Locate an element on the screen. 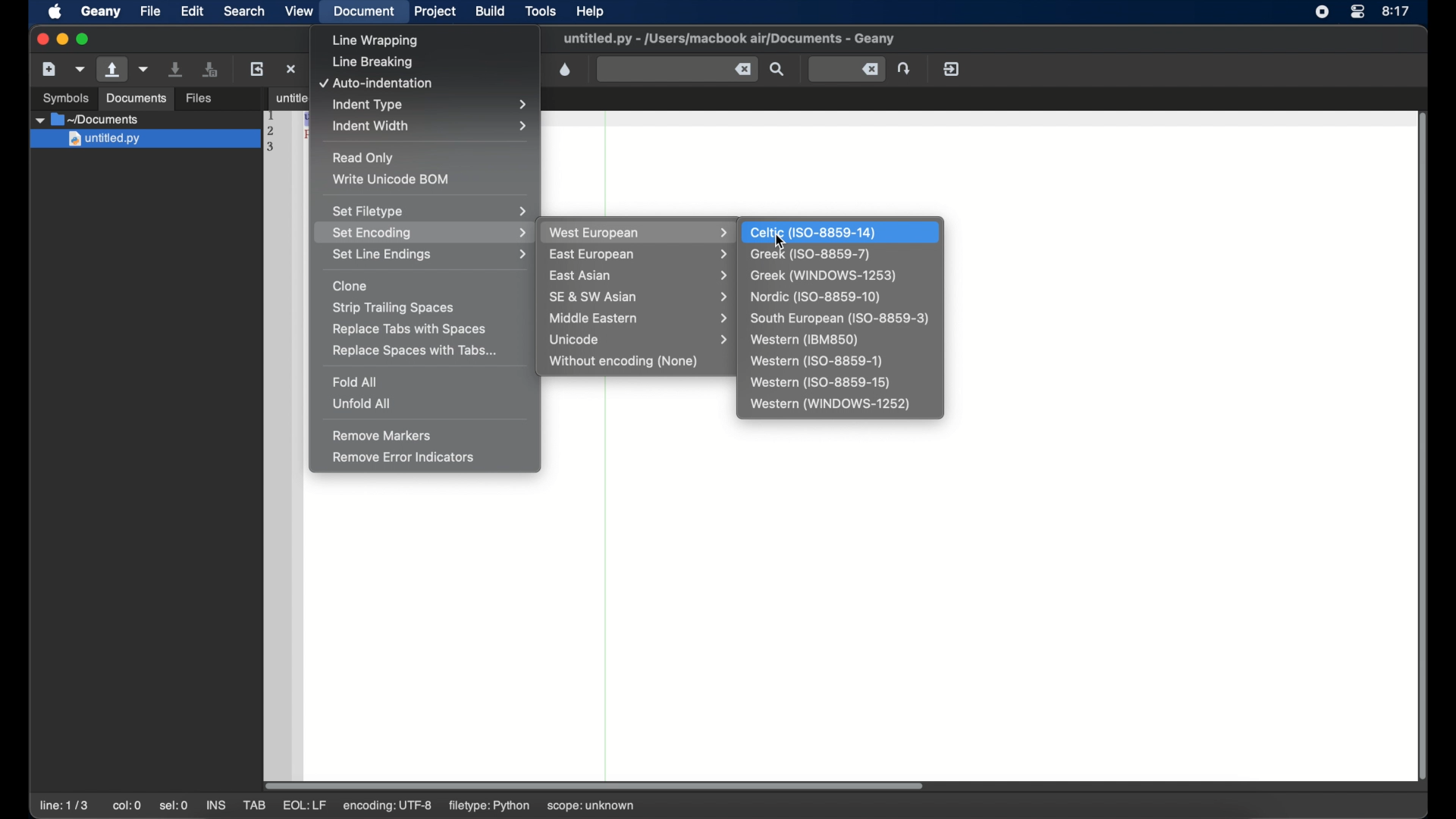 Image resolution: width=1456 pixels, height=819 pixels. search is located at coordinates (244, 11).